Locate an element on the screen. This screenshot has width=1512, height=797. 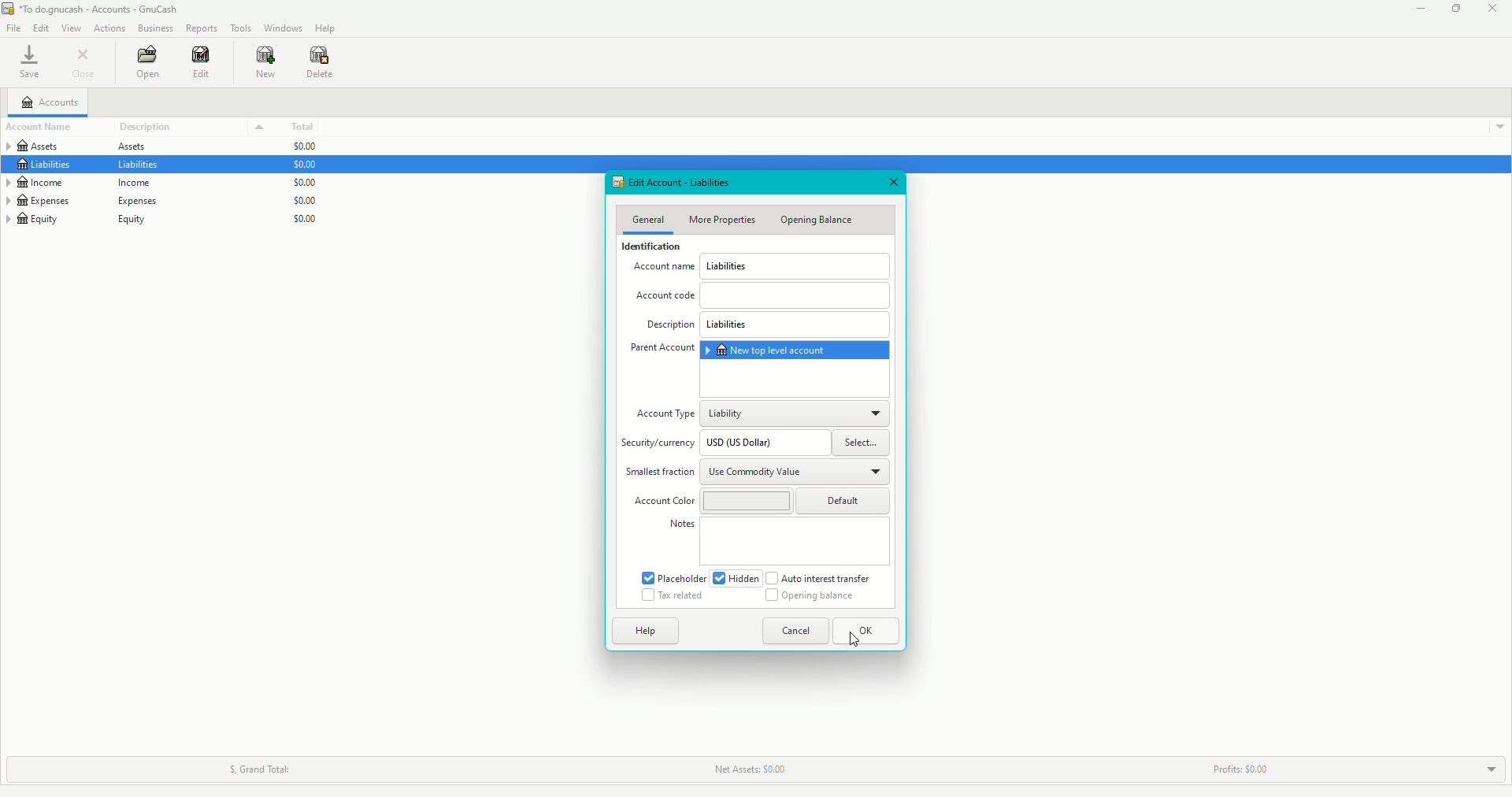
Tools is located at coordinates (243, 28).